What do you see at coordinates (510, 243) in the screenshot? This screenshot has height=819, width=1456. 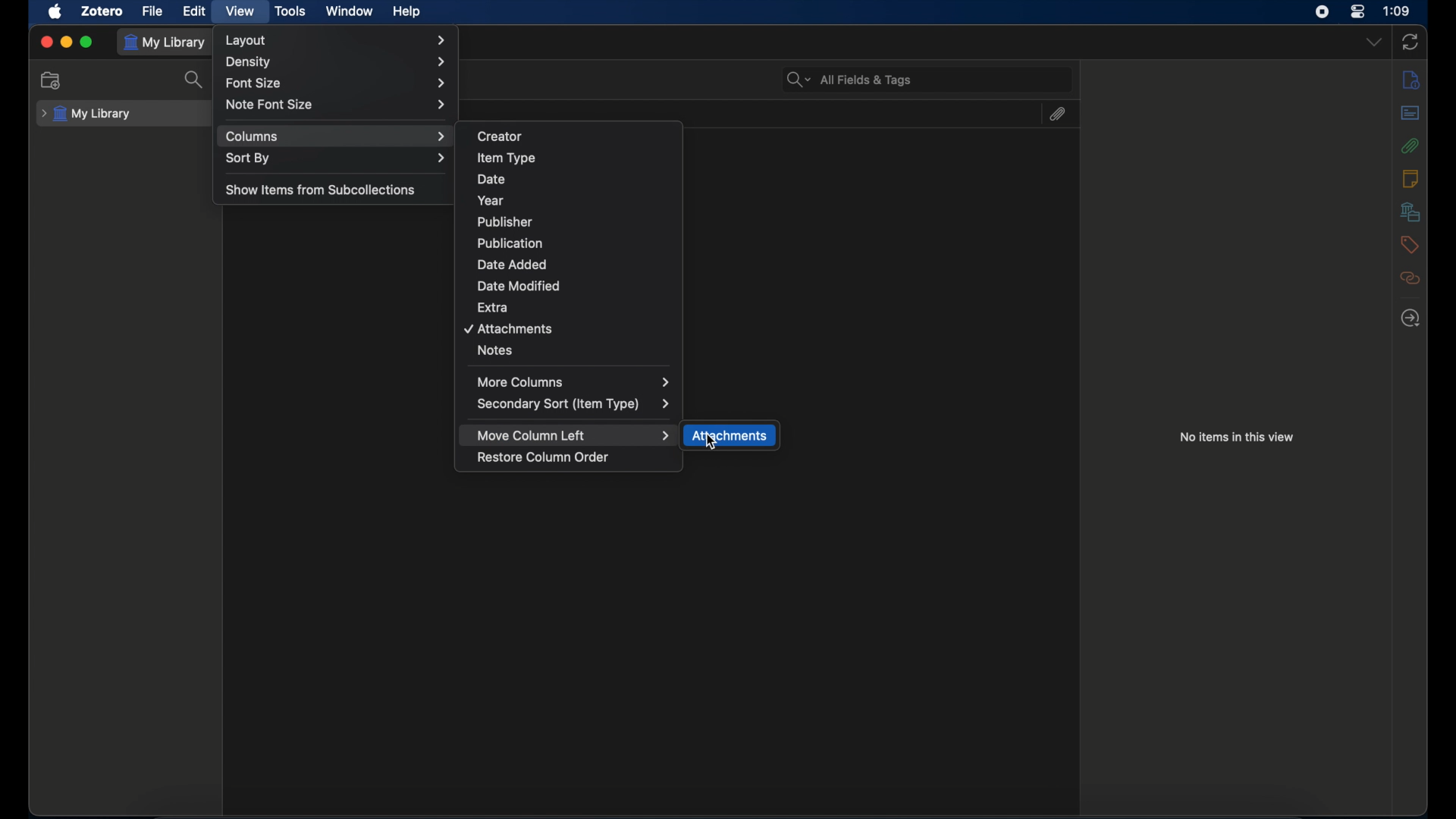 I see `publication` at bounding box center [510, 243].